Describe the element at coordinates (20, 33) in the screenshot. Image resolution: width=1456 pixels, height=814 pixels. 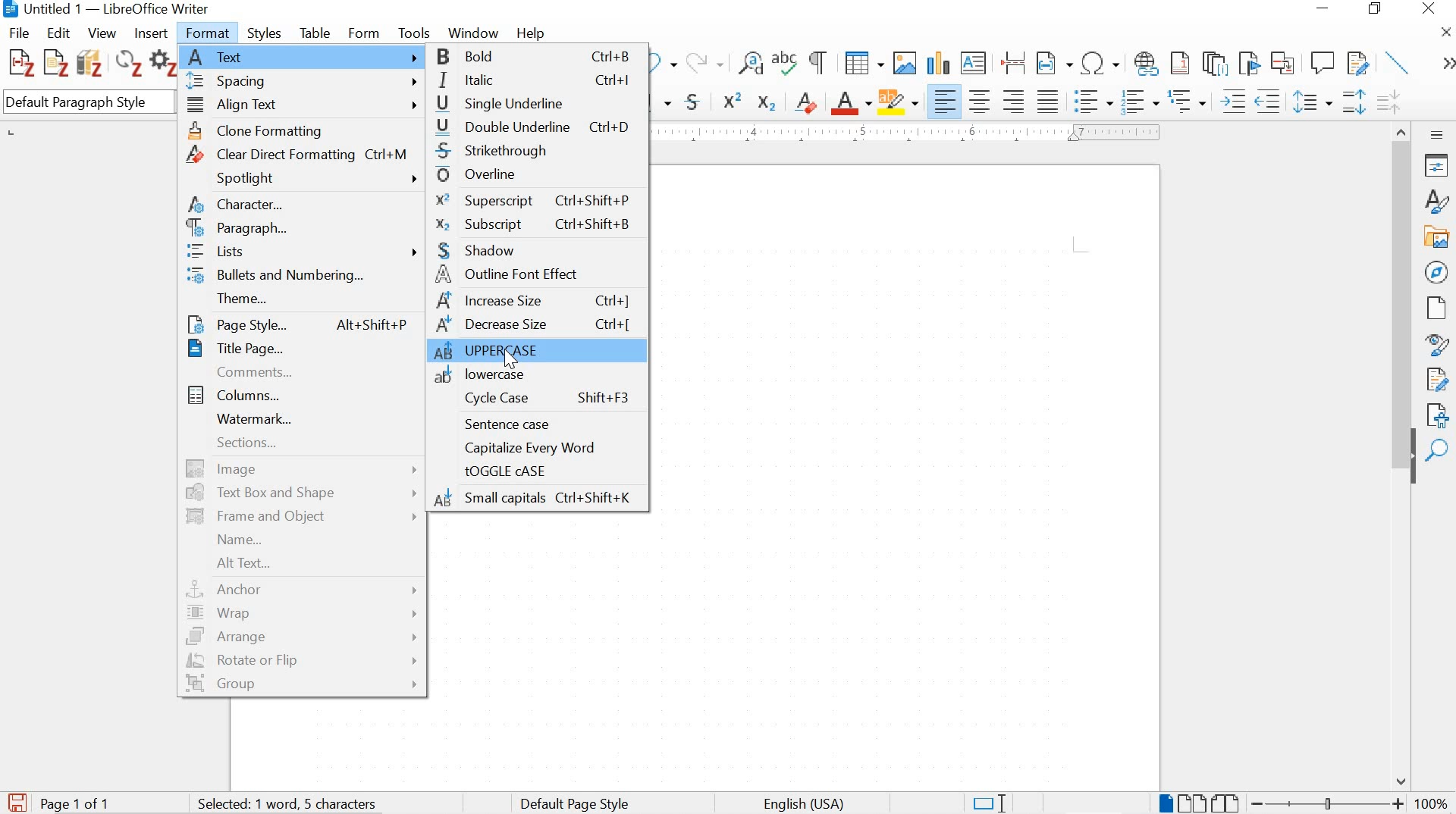
I see `file` at that location.